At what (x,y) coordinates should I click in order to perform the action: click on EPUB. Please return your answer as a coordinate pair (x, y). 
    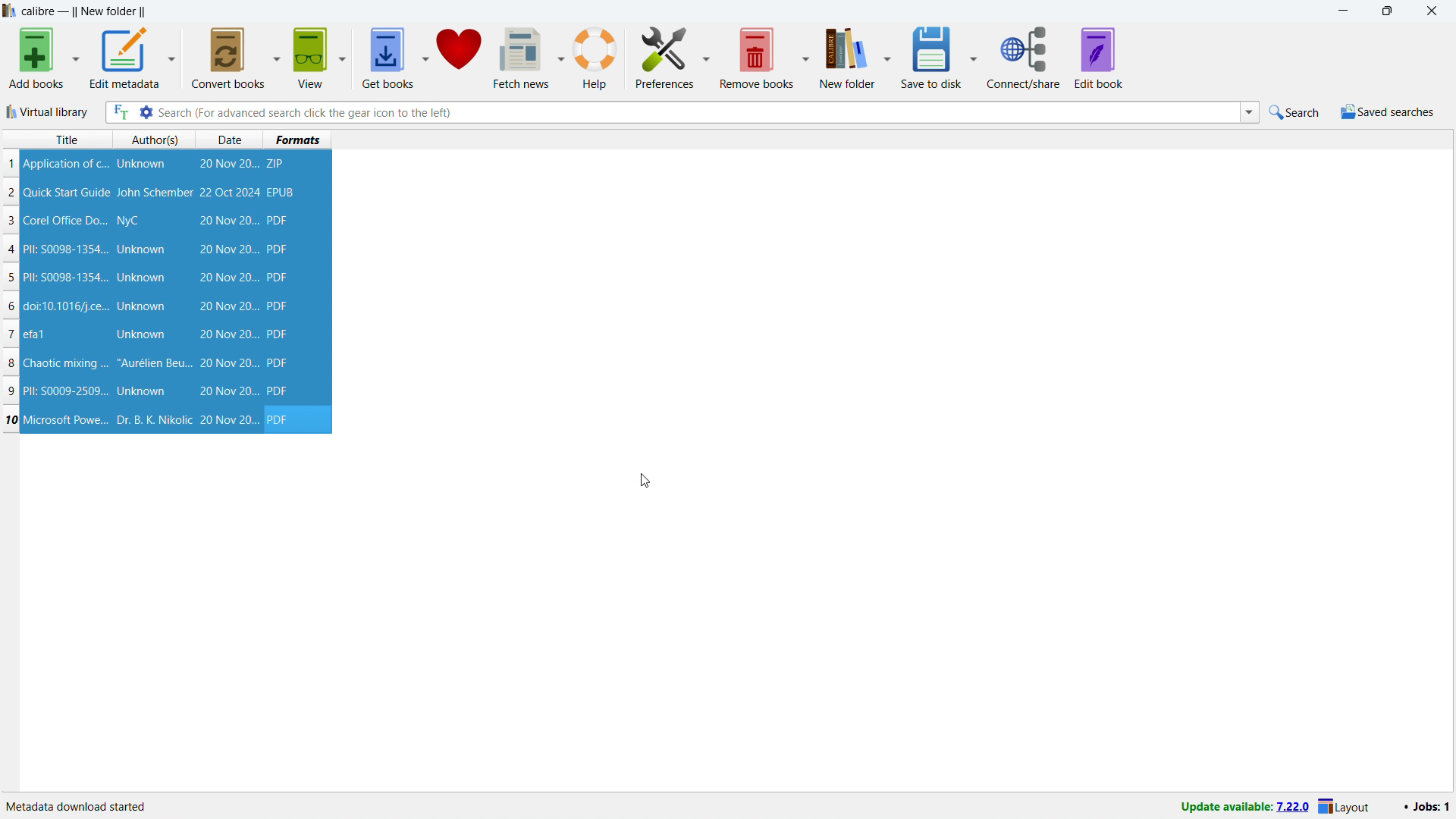
    Looking at the image, I should click on (282, 192).